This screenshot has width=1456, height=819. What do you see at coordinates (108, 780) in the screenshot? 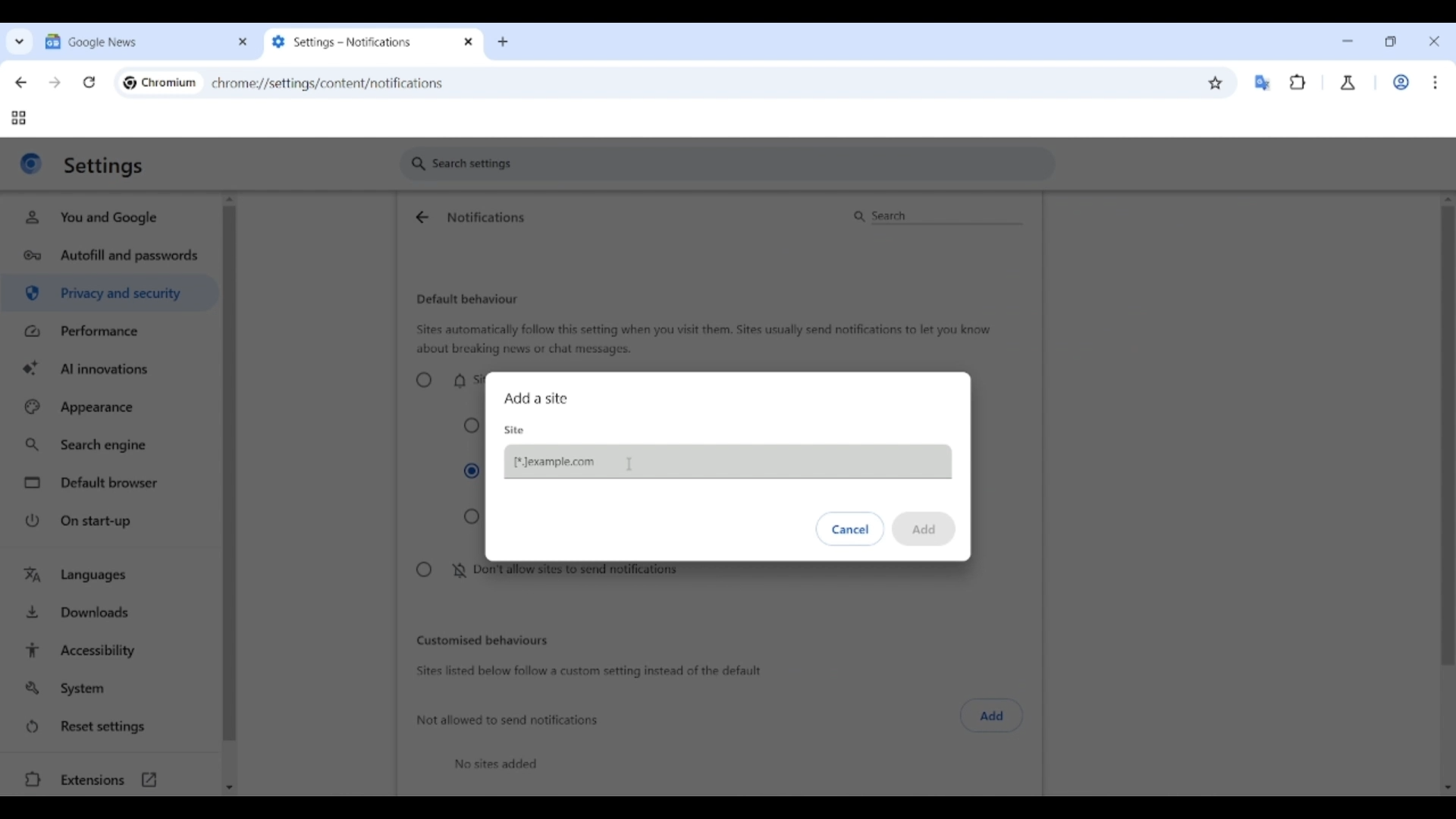
I see `Extensions` at bounding box center [108, 780].